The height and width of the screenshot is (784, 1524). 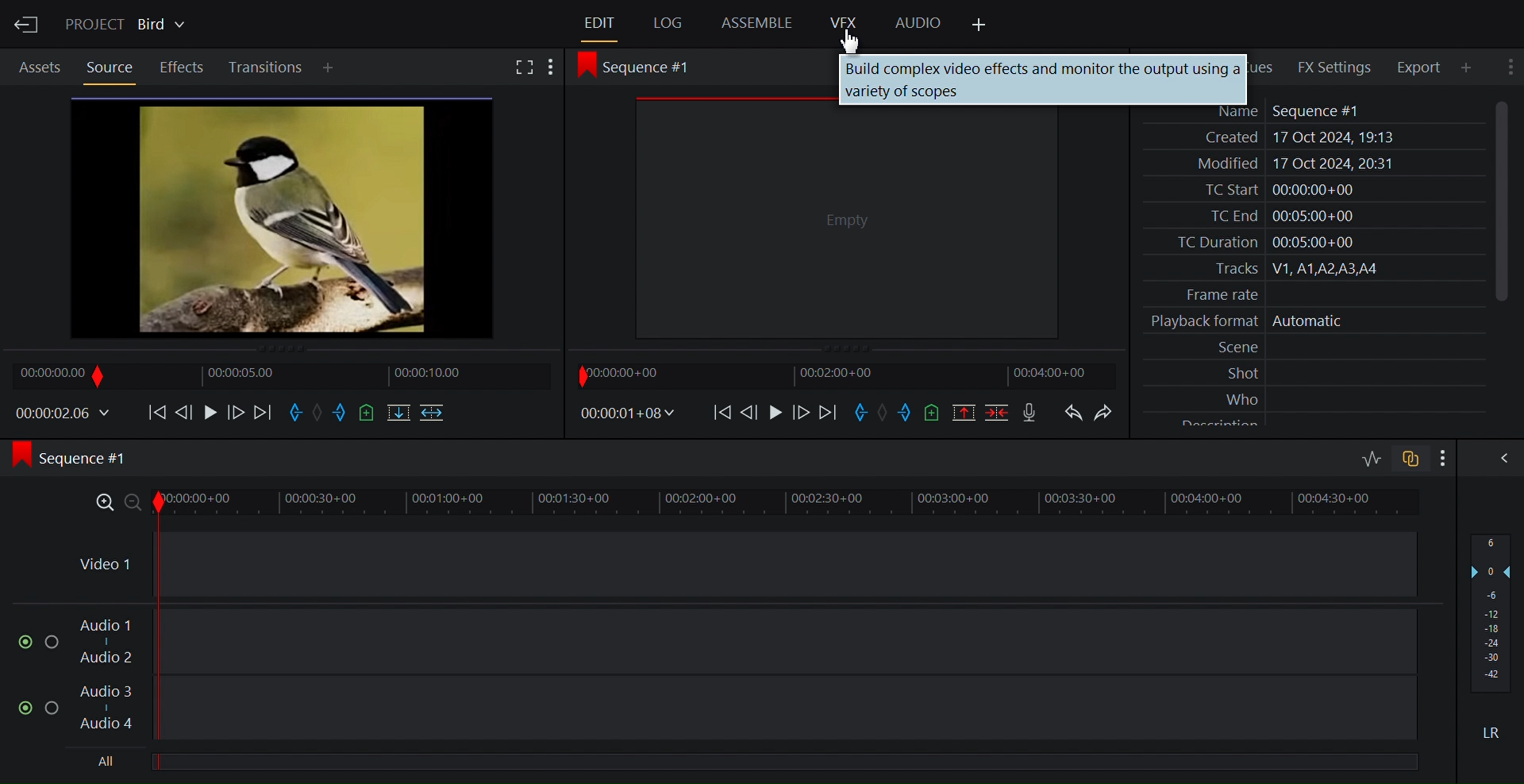 What do you see at coordinates (1418, 66) in the screenshot?
I see `Export` at bounding box center [1418, 66].